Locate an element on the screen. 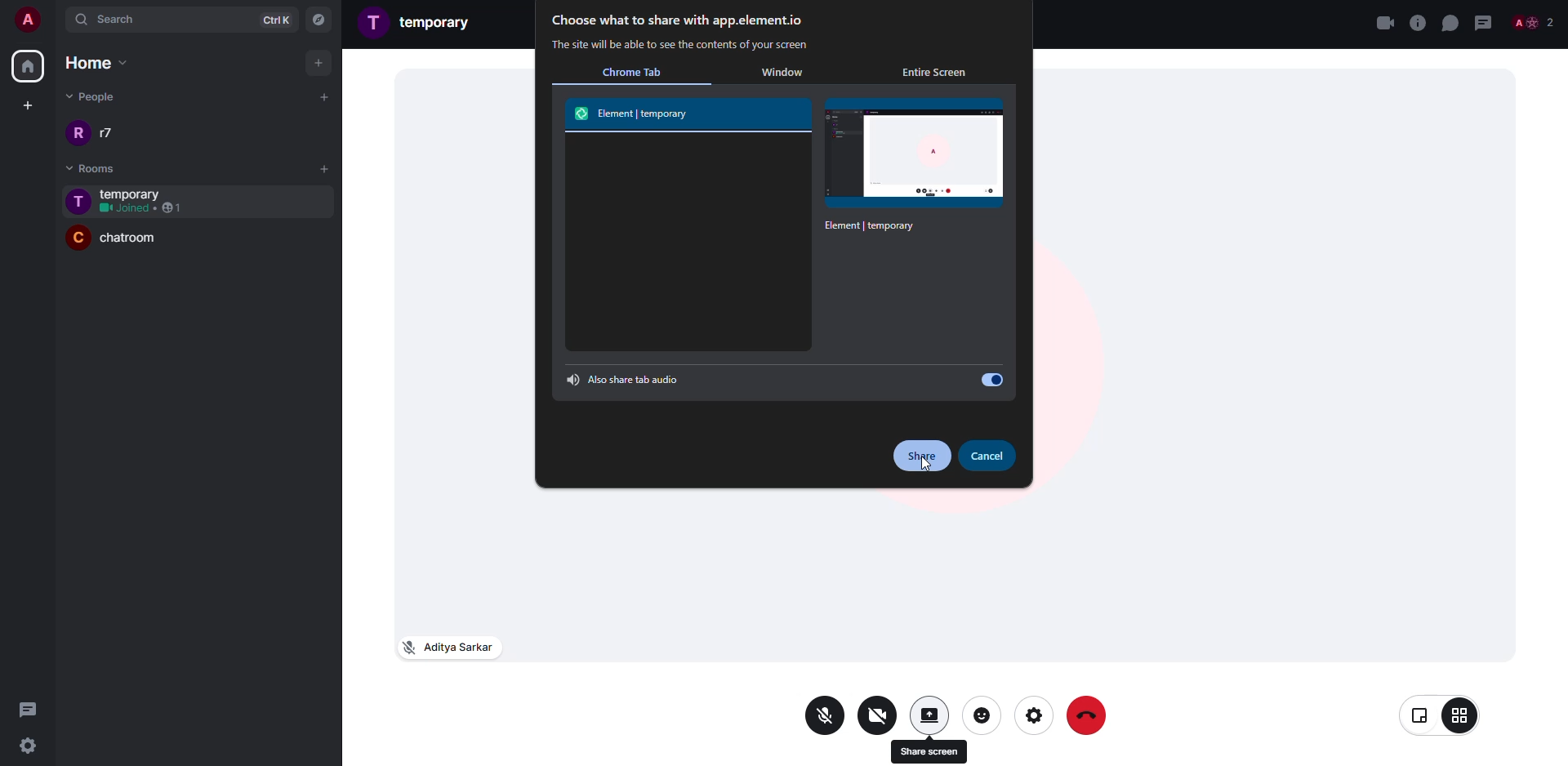 The height and width of the screenshot is (766, 1568). room is located at coordinates (140, 242).